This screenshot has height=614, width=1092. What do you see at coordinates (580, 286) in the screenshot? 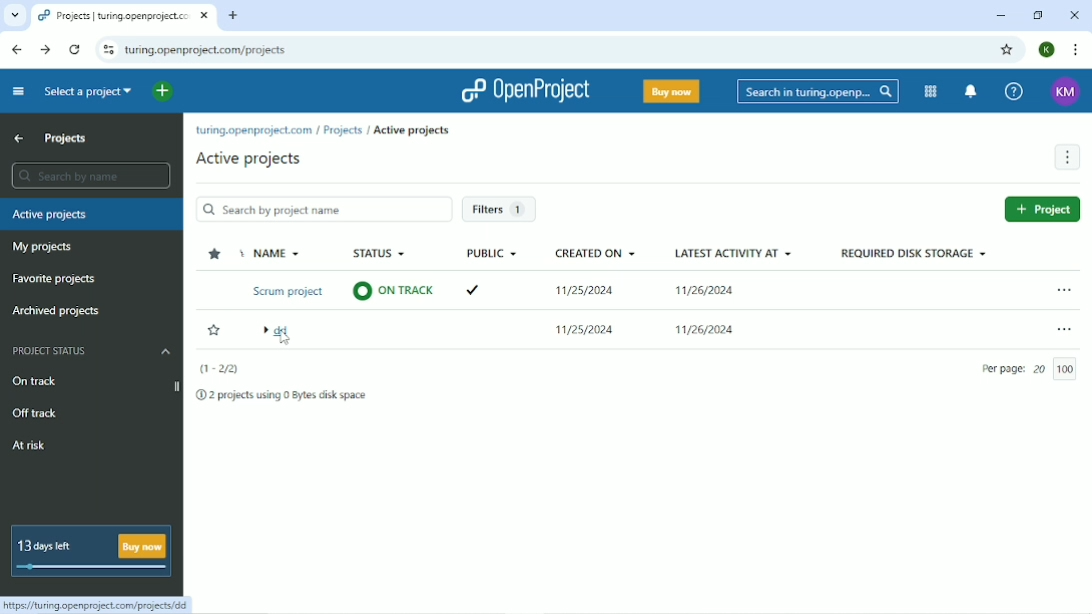
I see `11/25/2024` at bounding box center [580, 286].